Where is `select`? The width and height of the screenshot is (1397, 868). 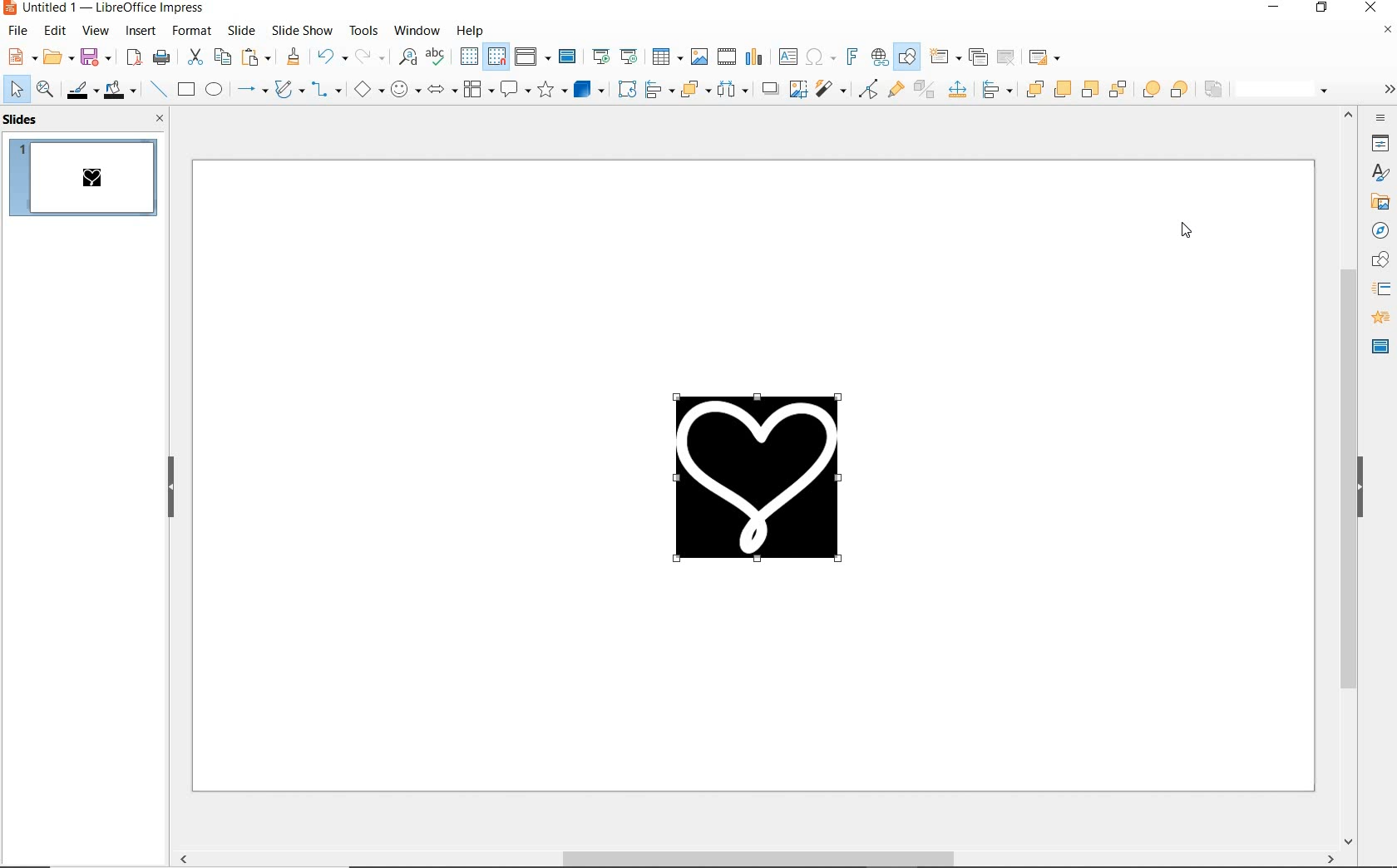 select is located at coordinates (16, 91).